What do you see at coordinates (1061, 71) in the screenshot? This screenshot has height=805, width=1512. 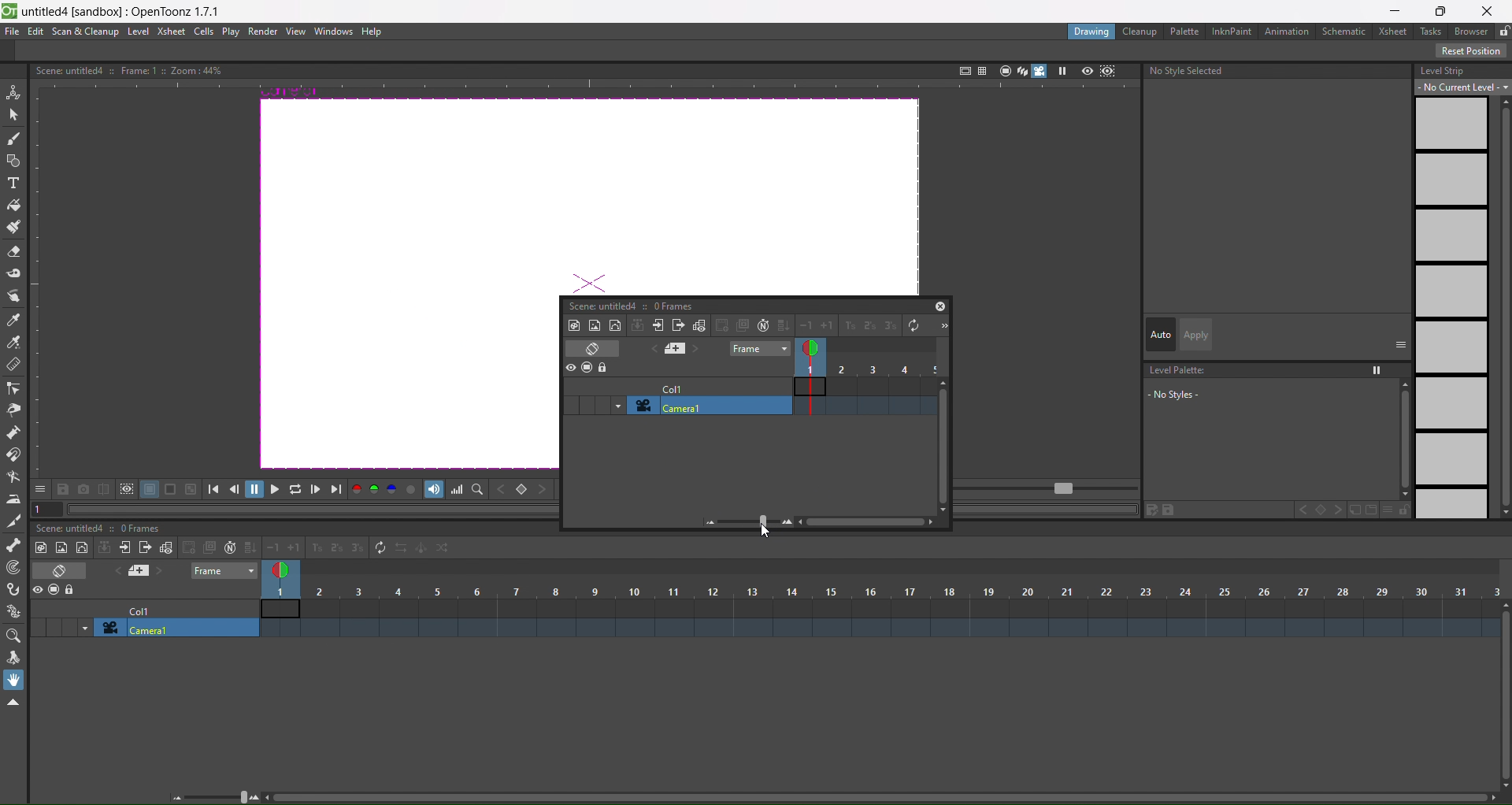 I see `freeze` at bounding box center [1061, 71].